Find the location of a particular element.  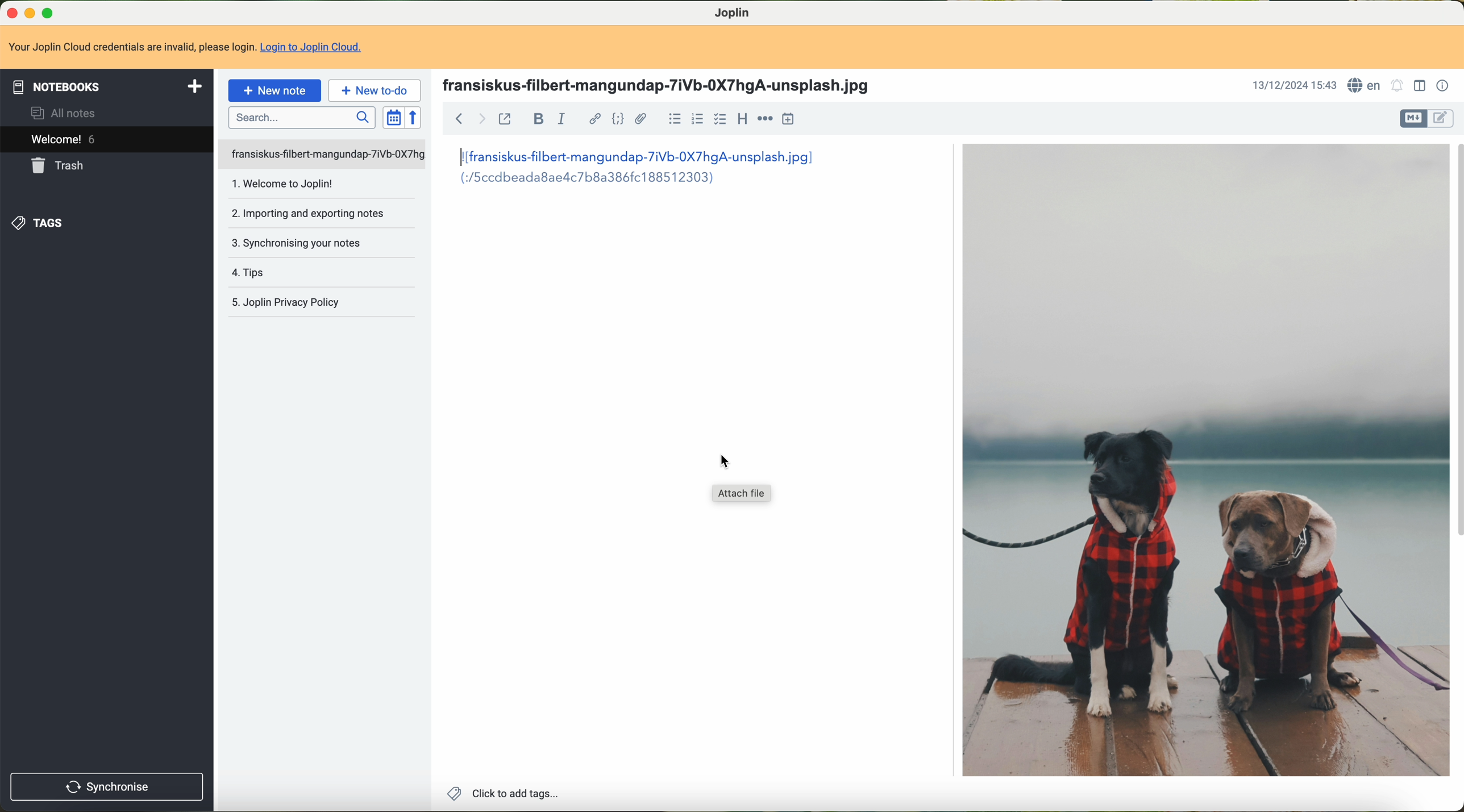

navigate back note is located at coordinates (459, 118).